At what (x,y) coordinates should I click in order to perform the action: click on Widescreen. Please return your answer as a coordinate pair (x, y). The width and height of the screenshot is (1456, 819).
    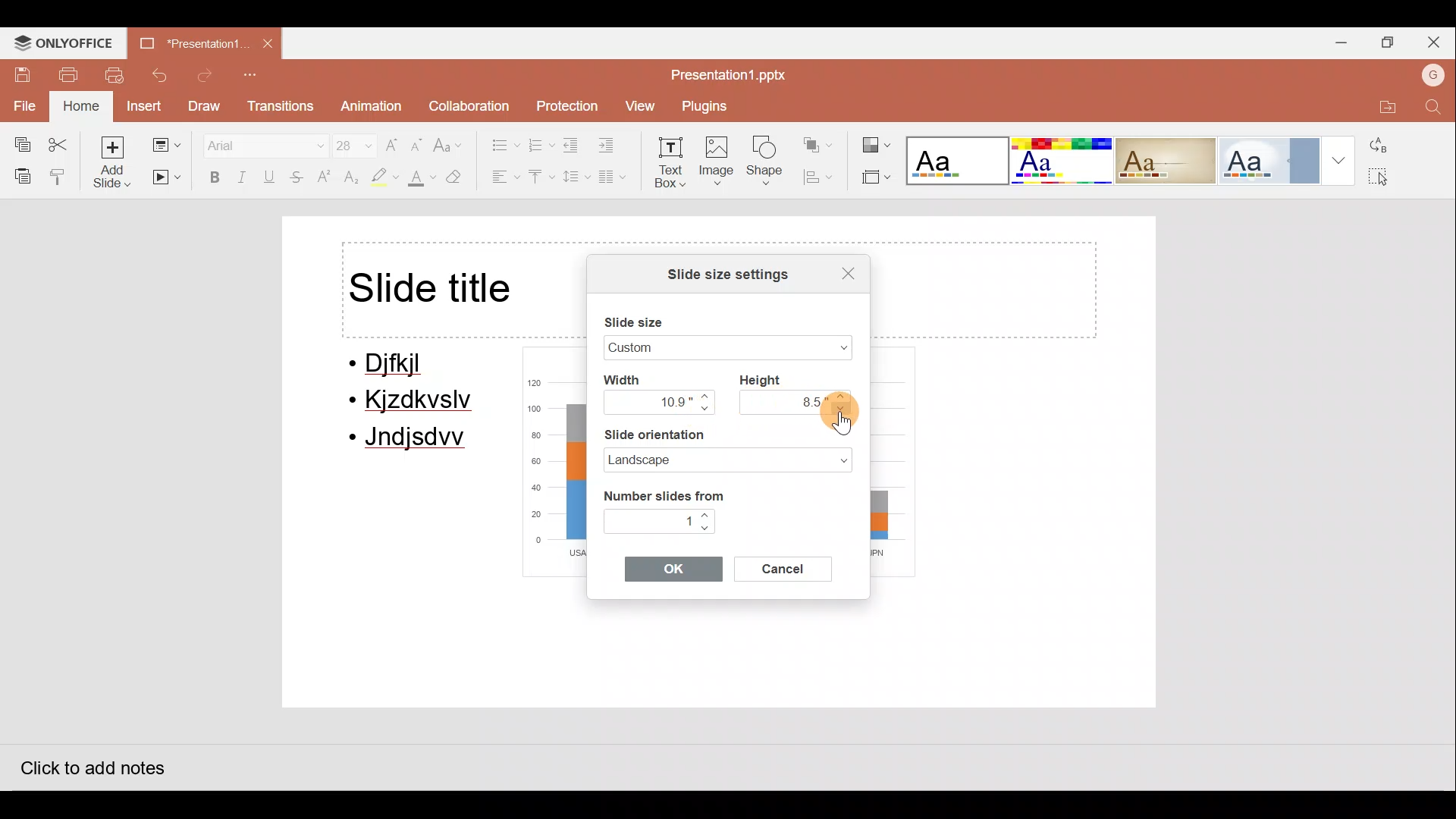
    Looking at the image, I should click on (679, 347).